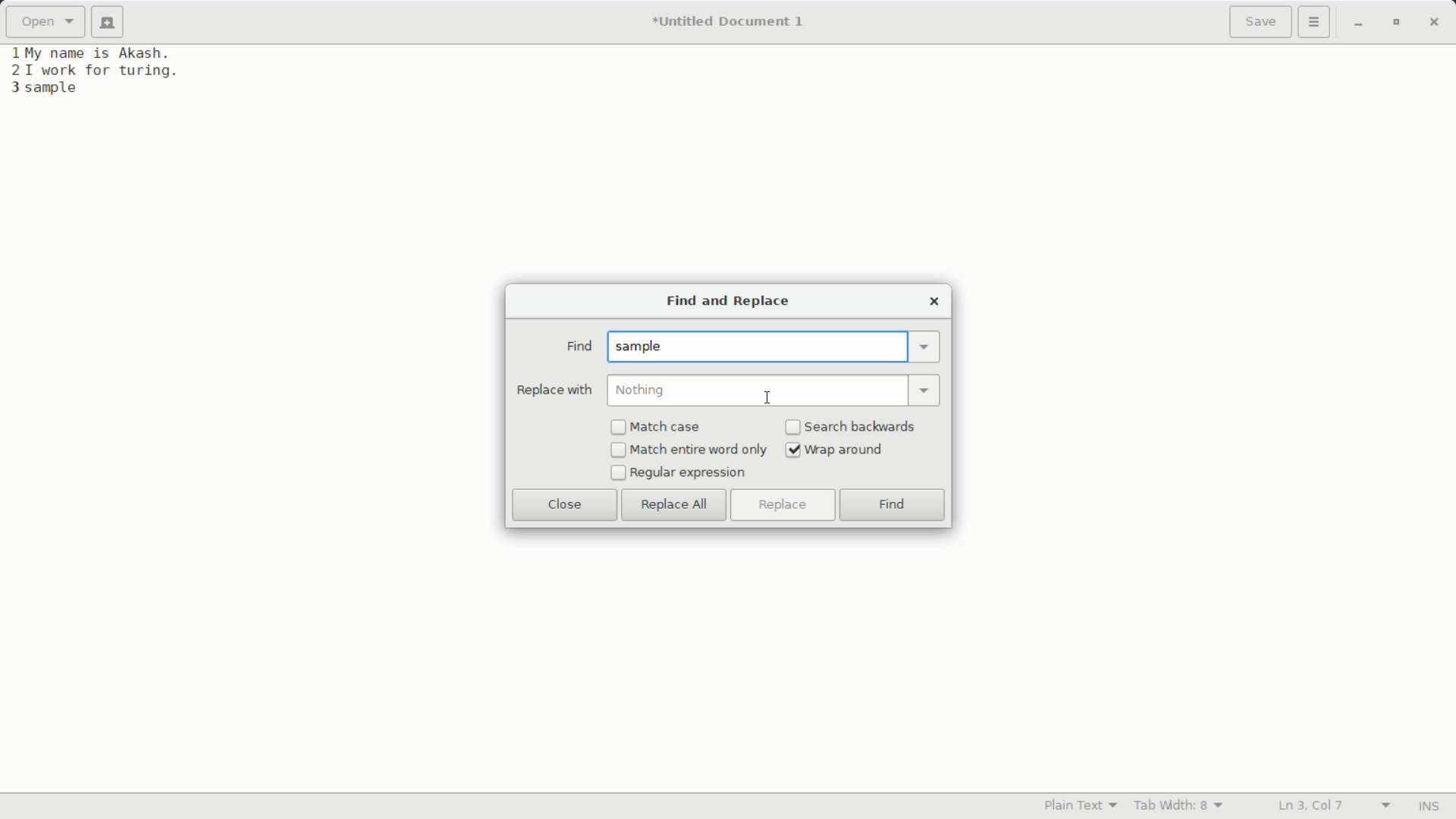 Image resolution: width=1456 pixels, height=819 pixels. Describe the element at coordinates (925, 347) in the screenshot. I see `dropdown` at that location.